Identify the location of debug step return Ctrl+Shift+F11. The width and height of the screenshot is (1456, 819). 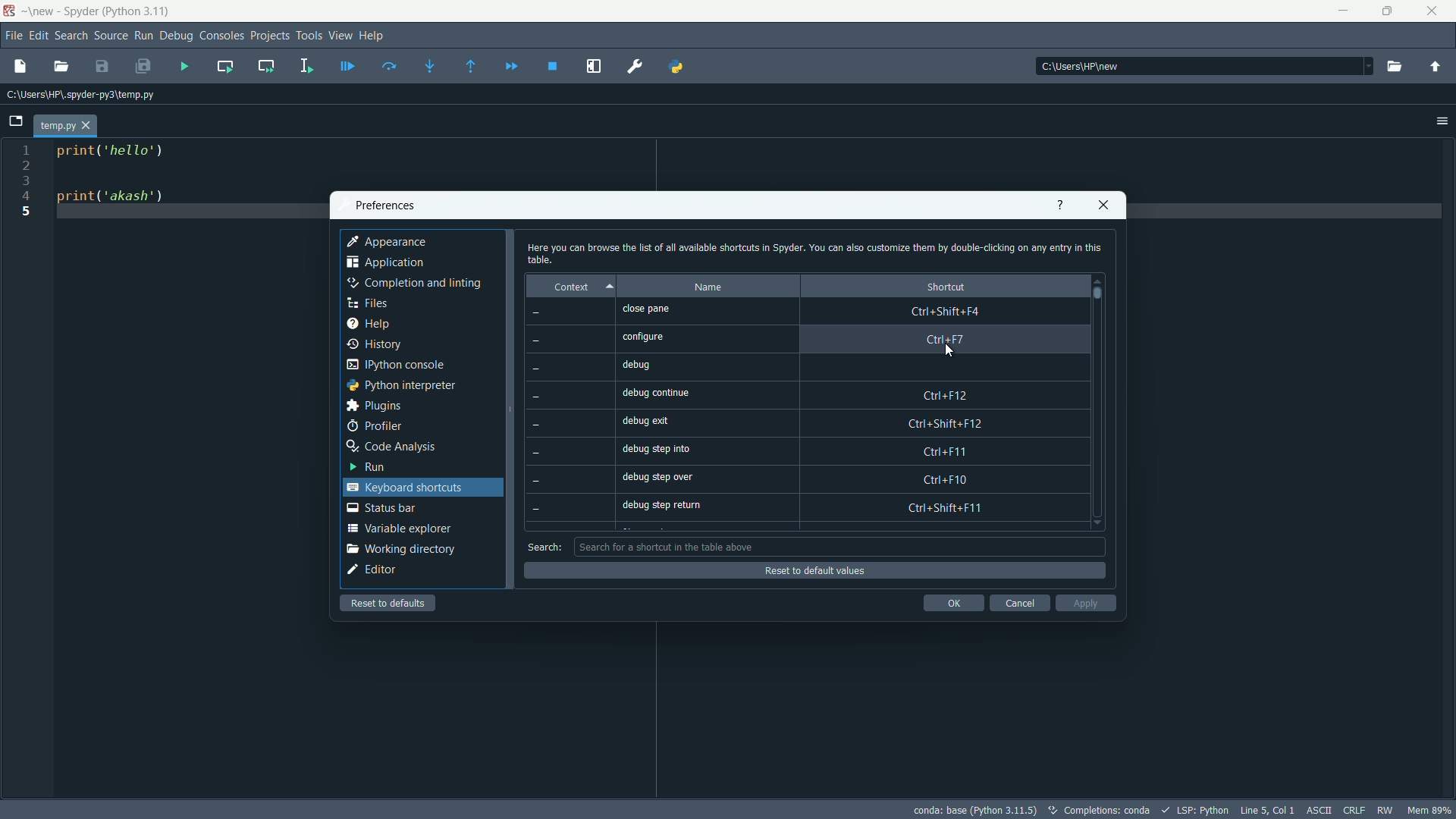
(822, 508).